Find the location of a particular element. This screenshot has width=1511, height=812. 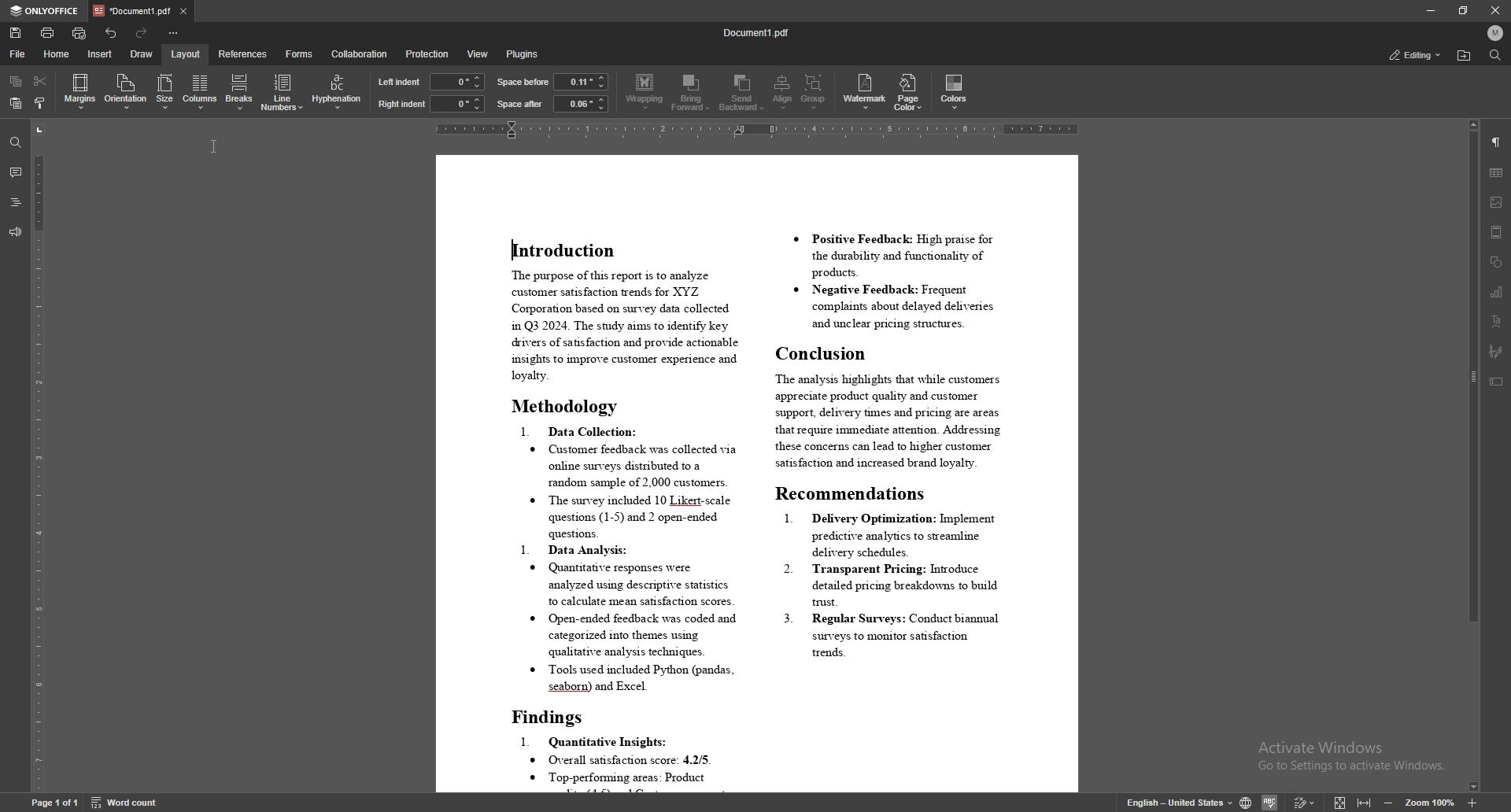

line numbers is located at coordinates (283, 92).